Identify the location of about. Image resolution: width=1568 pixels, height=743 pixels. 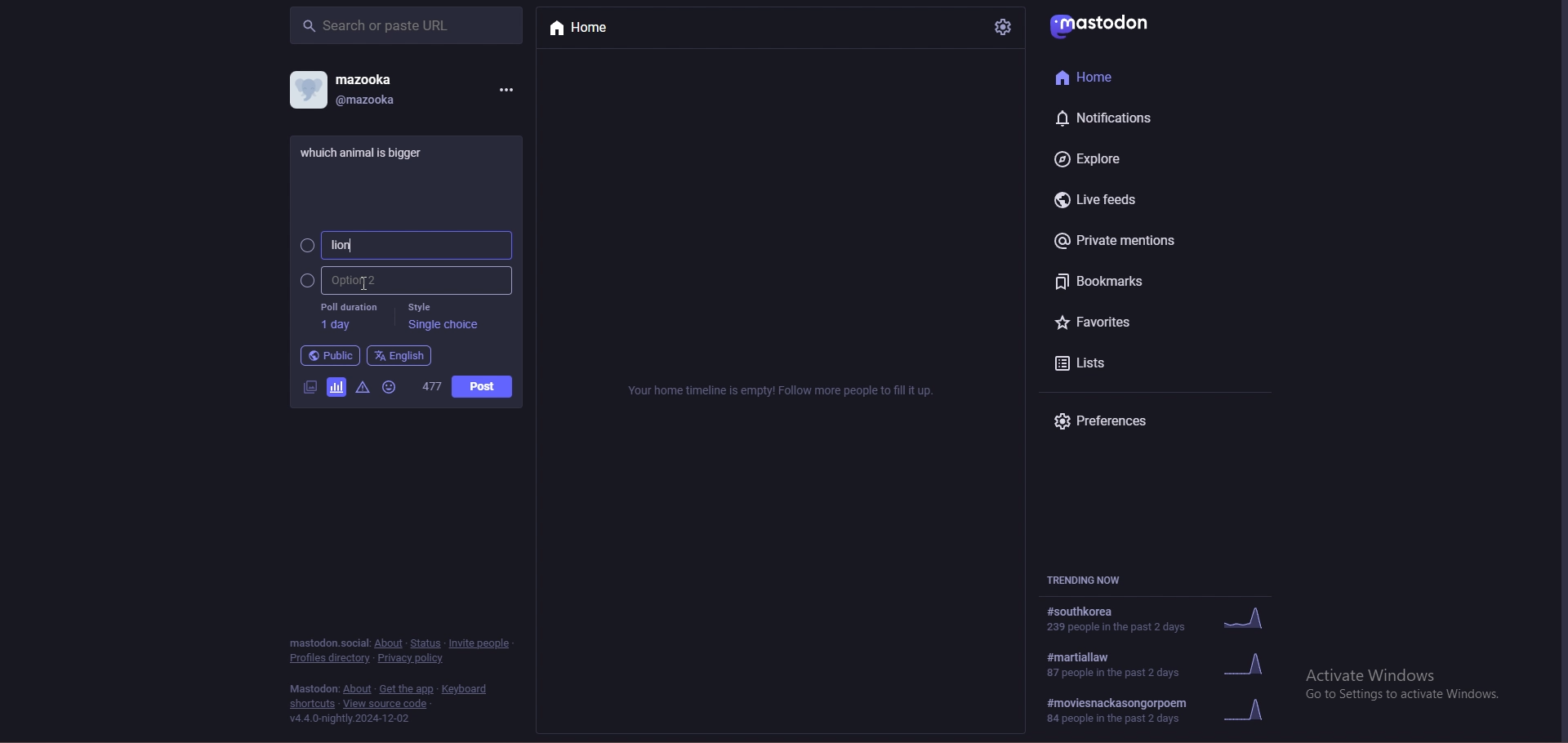
(390, 643).